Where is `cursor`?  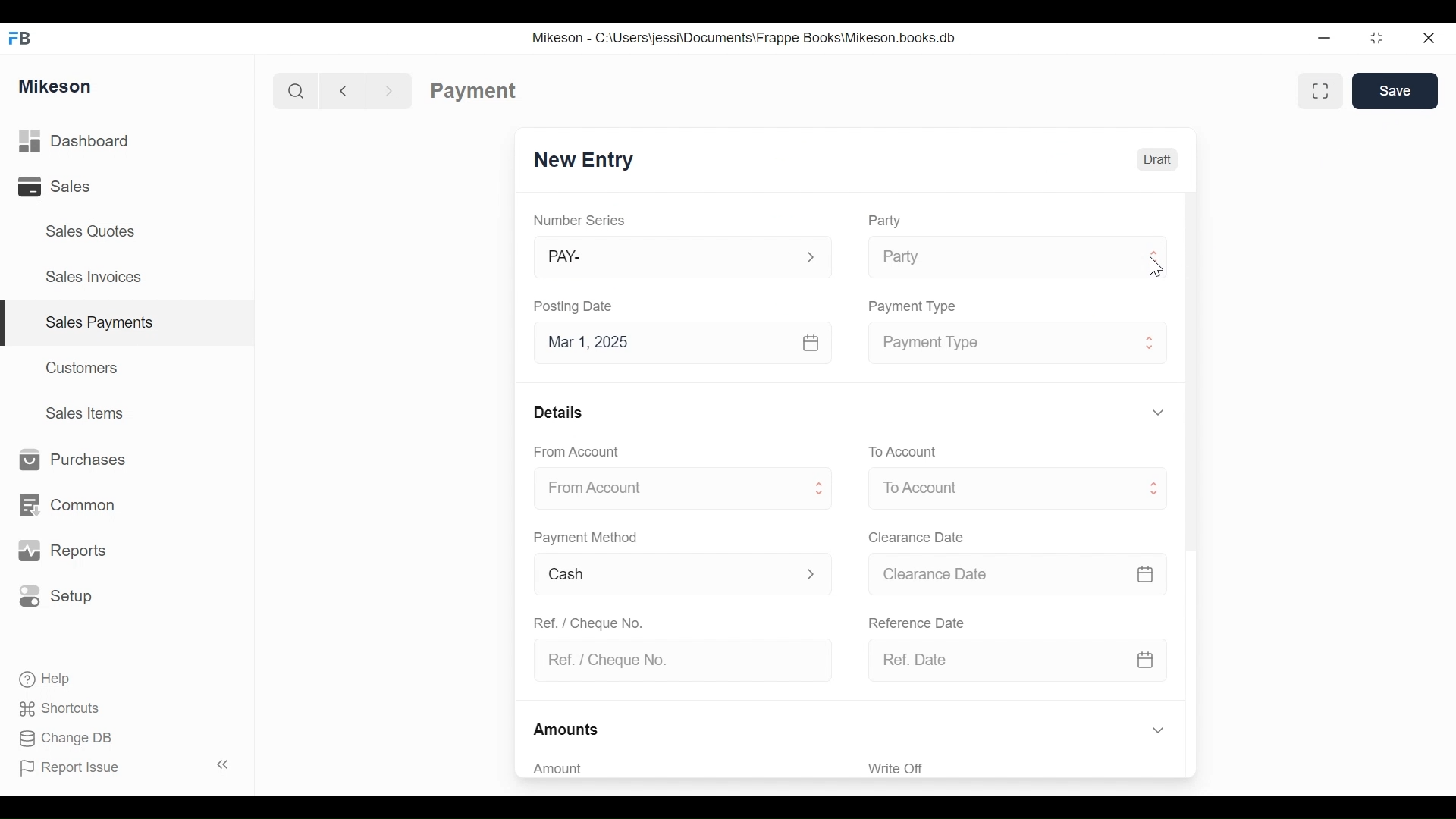 cursor is located at coordinates (1153, 269).